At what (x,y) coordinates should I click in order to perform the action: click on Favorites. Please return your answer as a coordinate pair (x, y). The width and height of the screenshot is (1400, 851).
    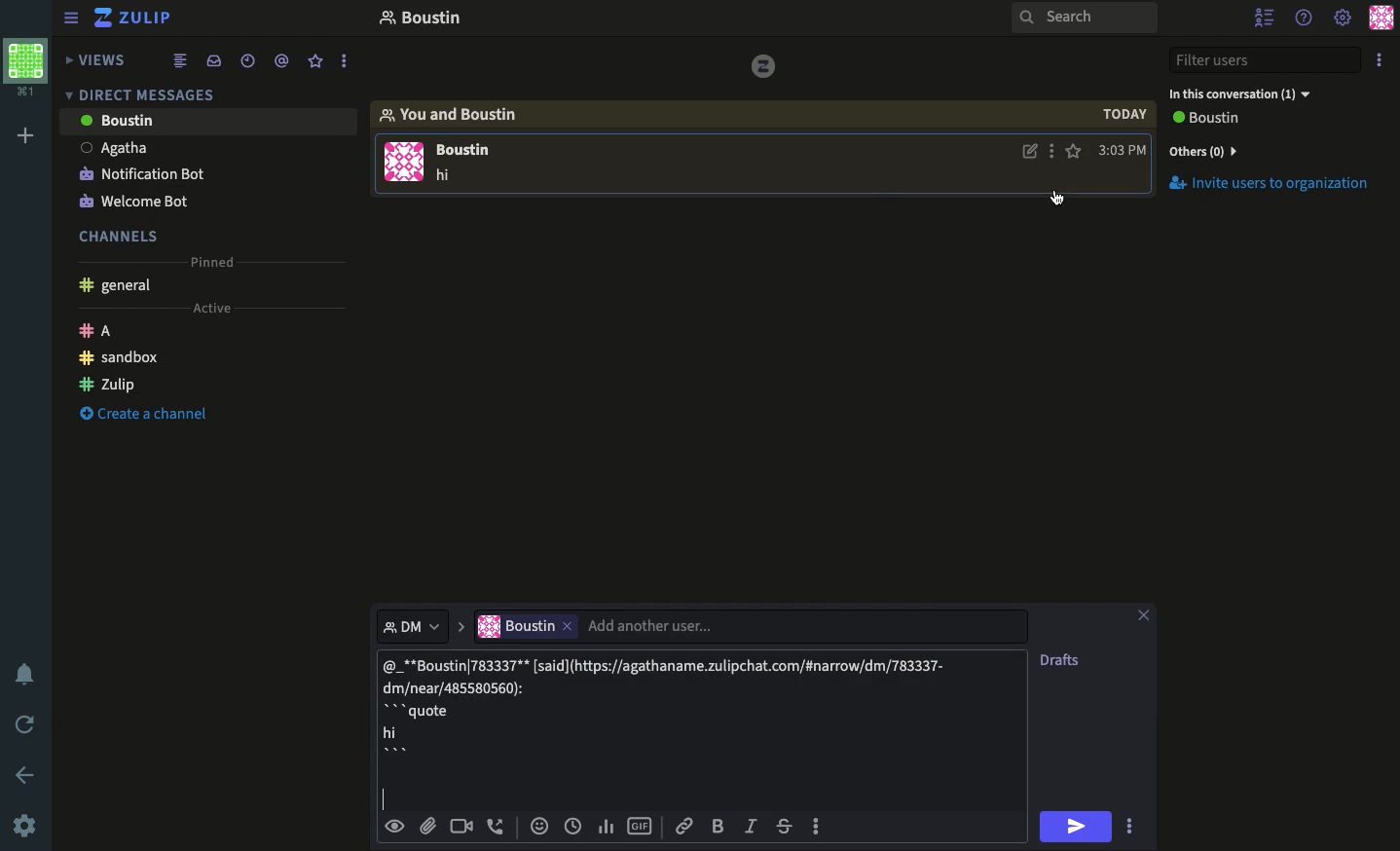
    Looking at the image, I should click on (316, 61).